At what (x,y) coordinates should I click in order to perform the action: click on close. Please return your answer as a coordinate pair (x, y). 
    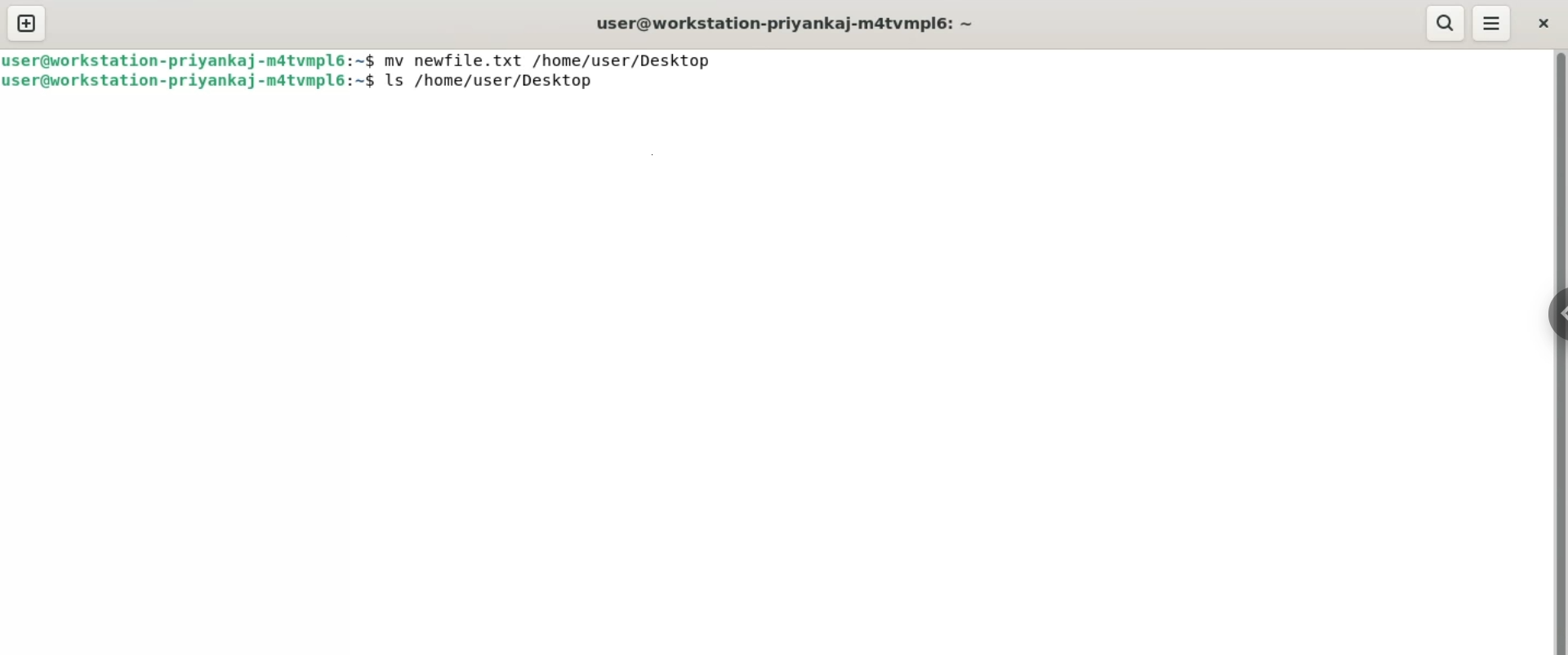
    Looking at the image, I should click on (1544, 24).